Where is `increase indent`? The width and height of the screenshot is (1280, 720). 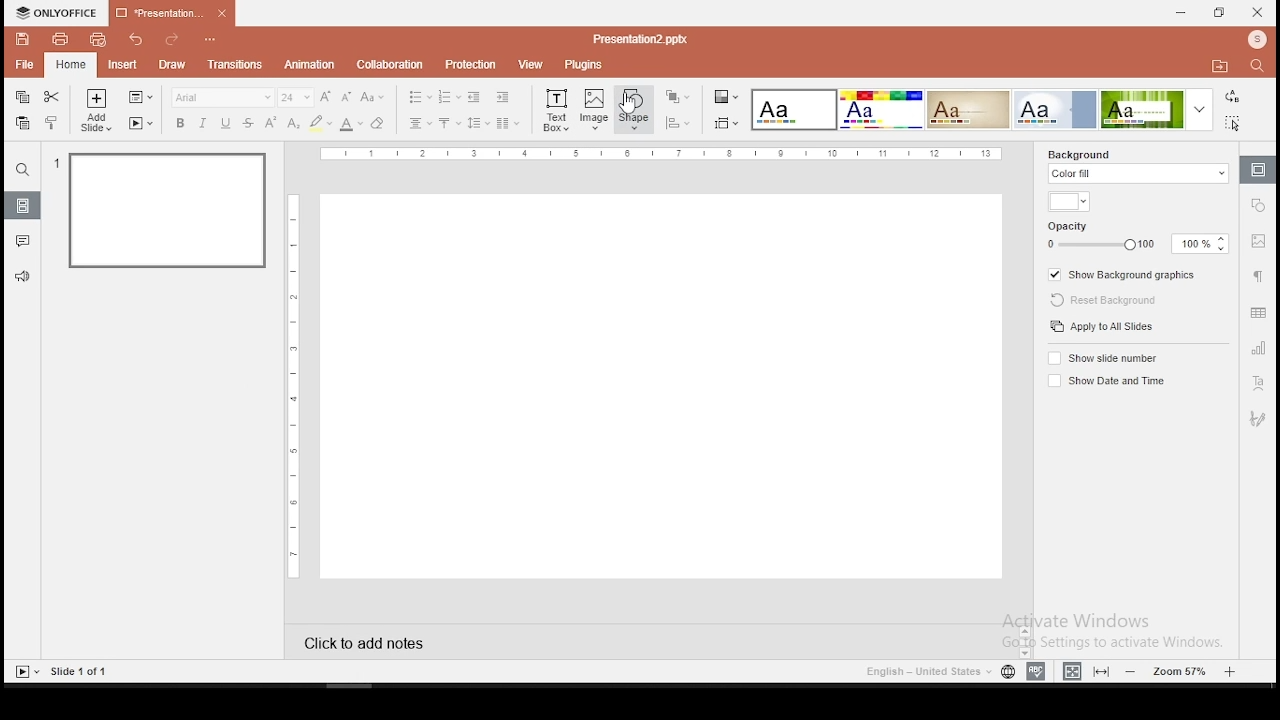 increase indent is located at coordinates (503, 96).